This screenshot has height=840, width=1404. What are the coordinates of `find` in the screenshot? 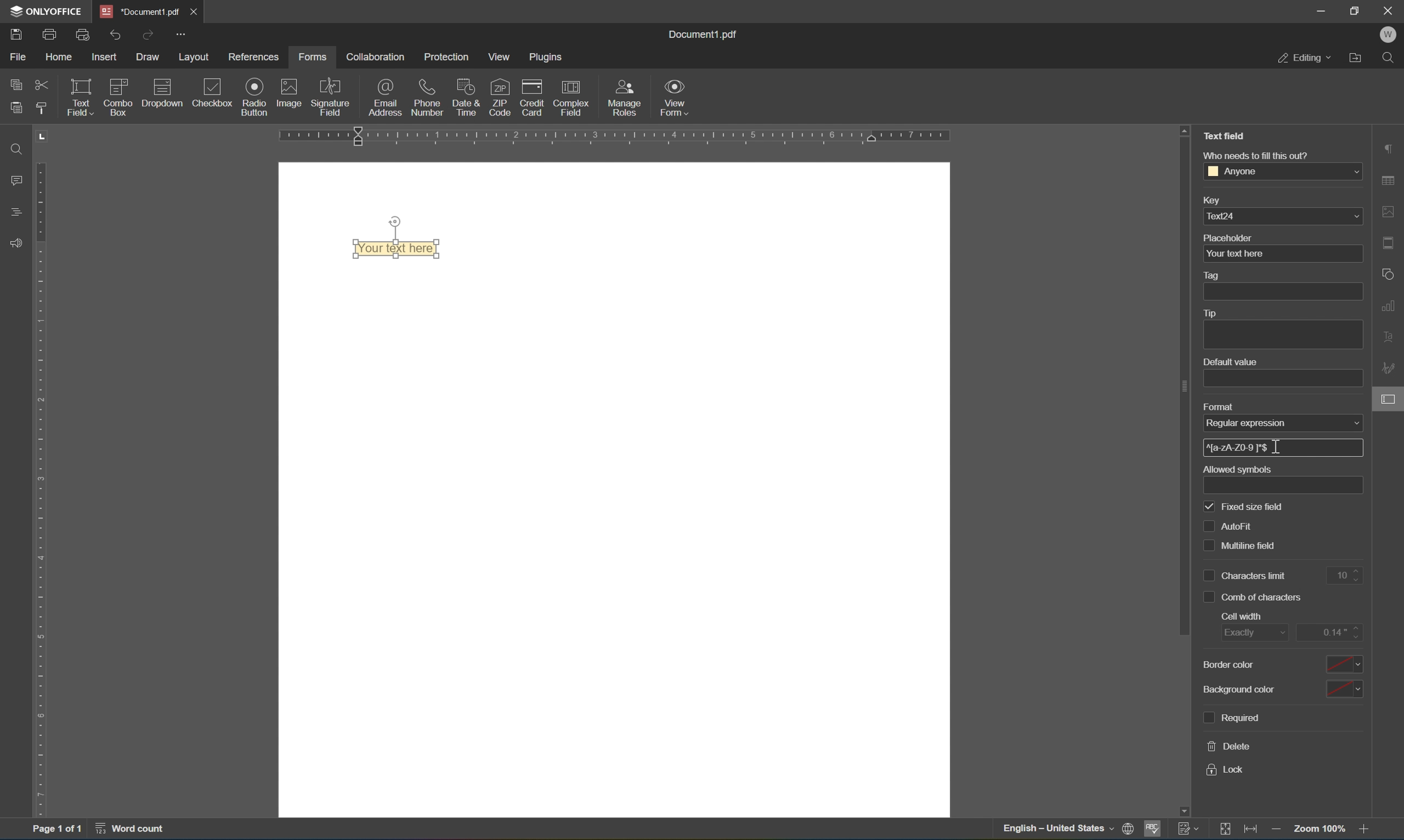 It's located at (1392, 58).